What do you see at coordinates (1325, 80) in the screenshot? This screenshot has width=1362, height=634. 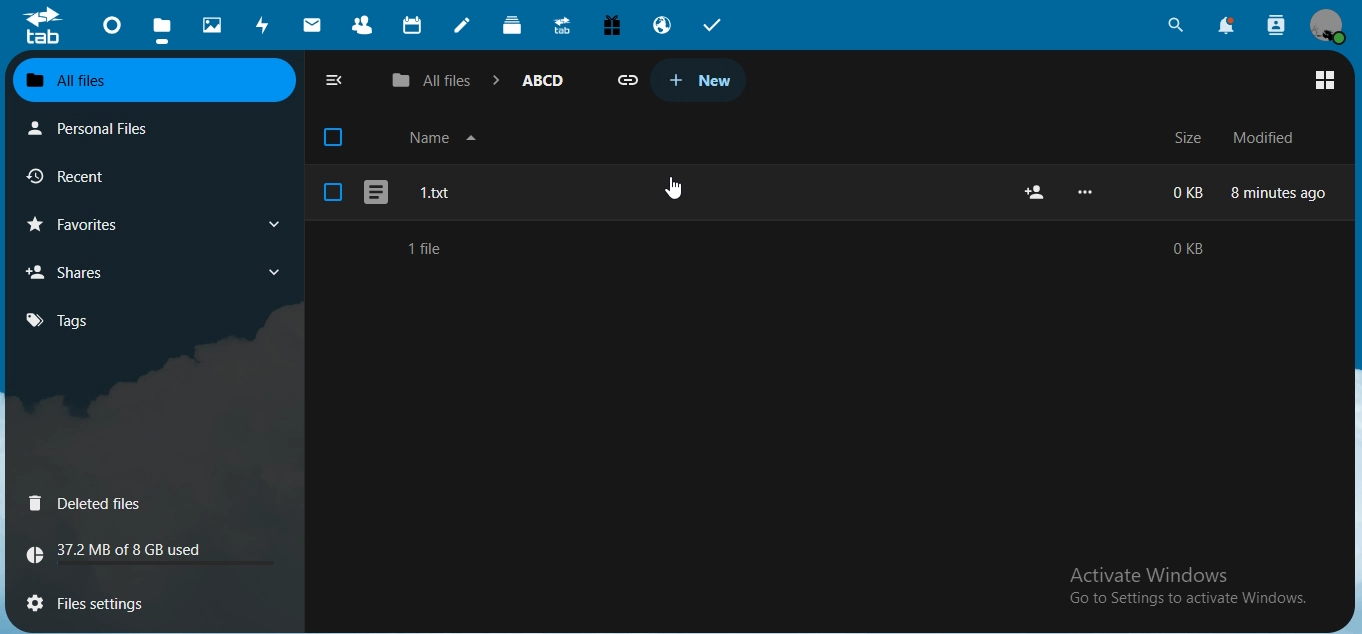 I see `view` at bounding box center [1325, 80].